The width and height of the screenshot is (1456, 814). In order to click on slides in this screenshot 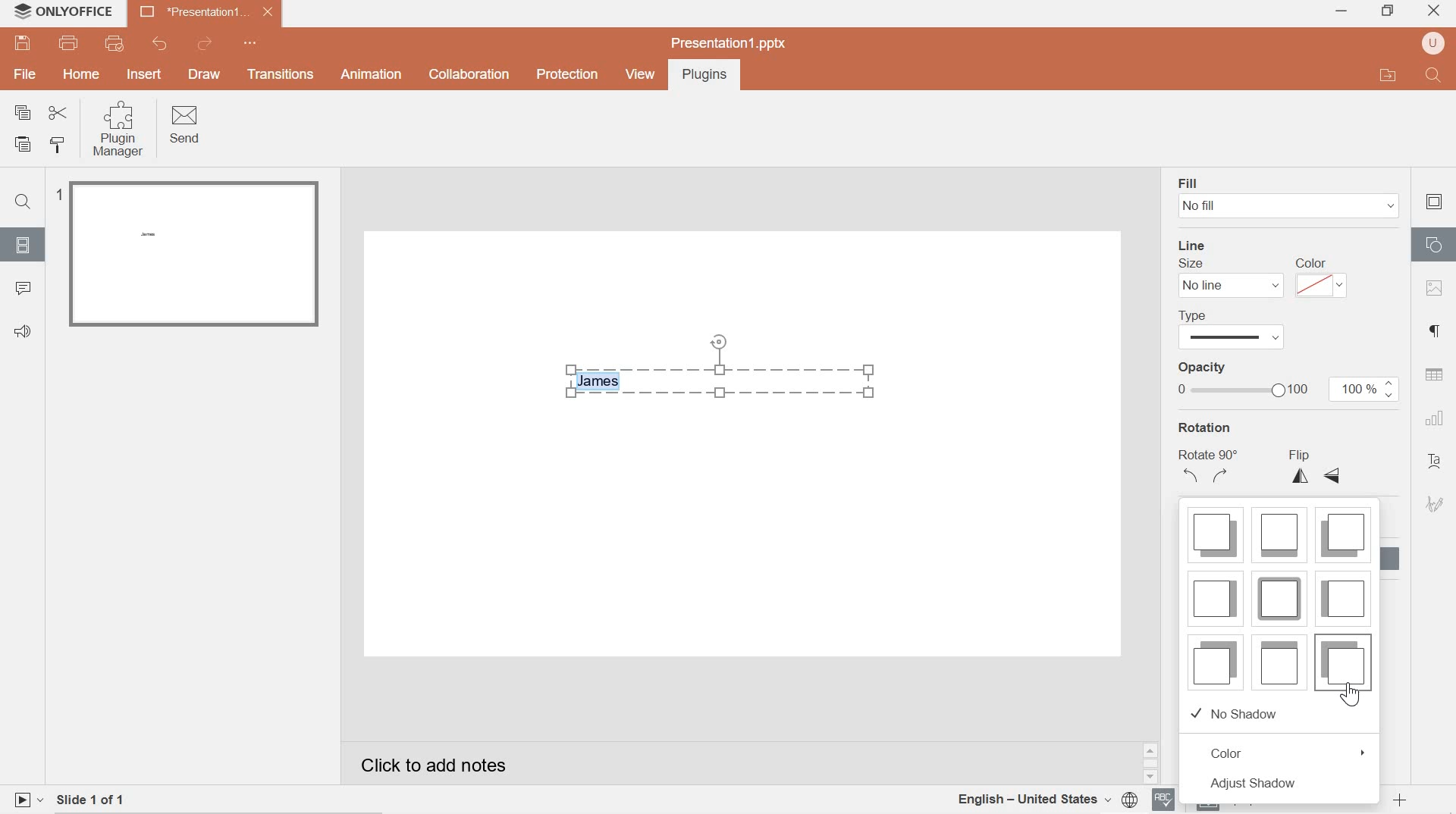, I will do `click(24, 245)`.